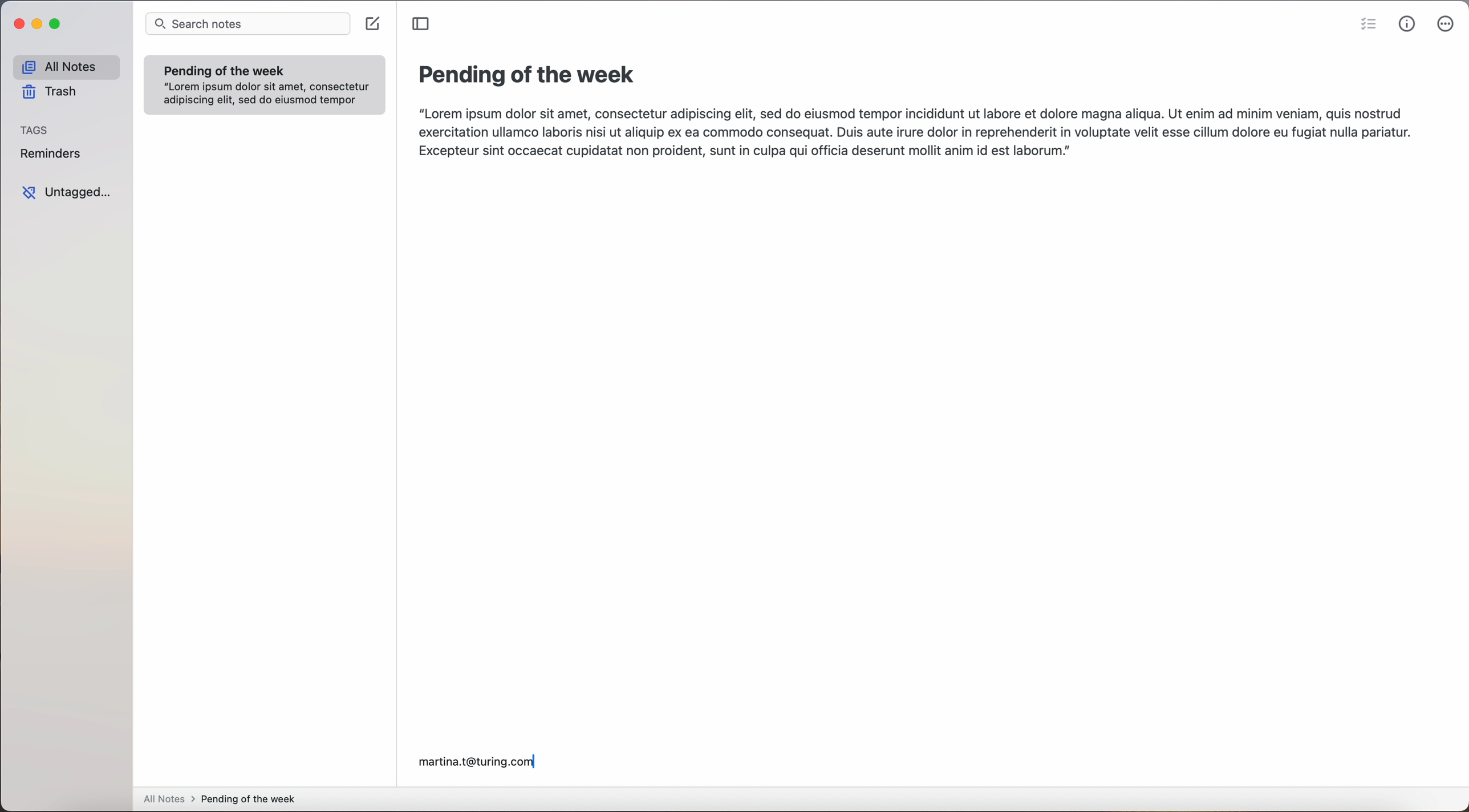 Image resolution: width=1469 pixels, height=812 pixels. Describe the element at coordinates (15, 25) in the screenshot. I see `close app` at that location.